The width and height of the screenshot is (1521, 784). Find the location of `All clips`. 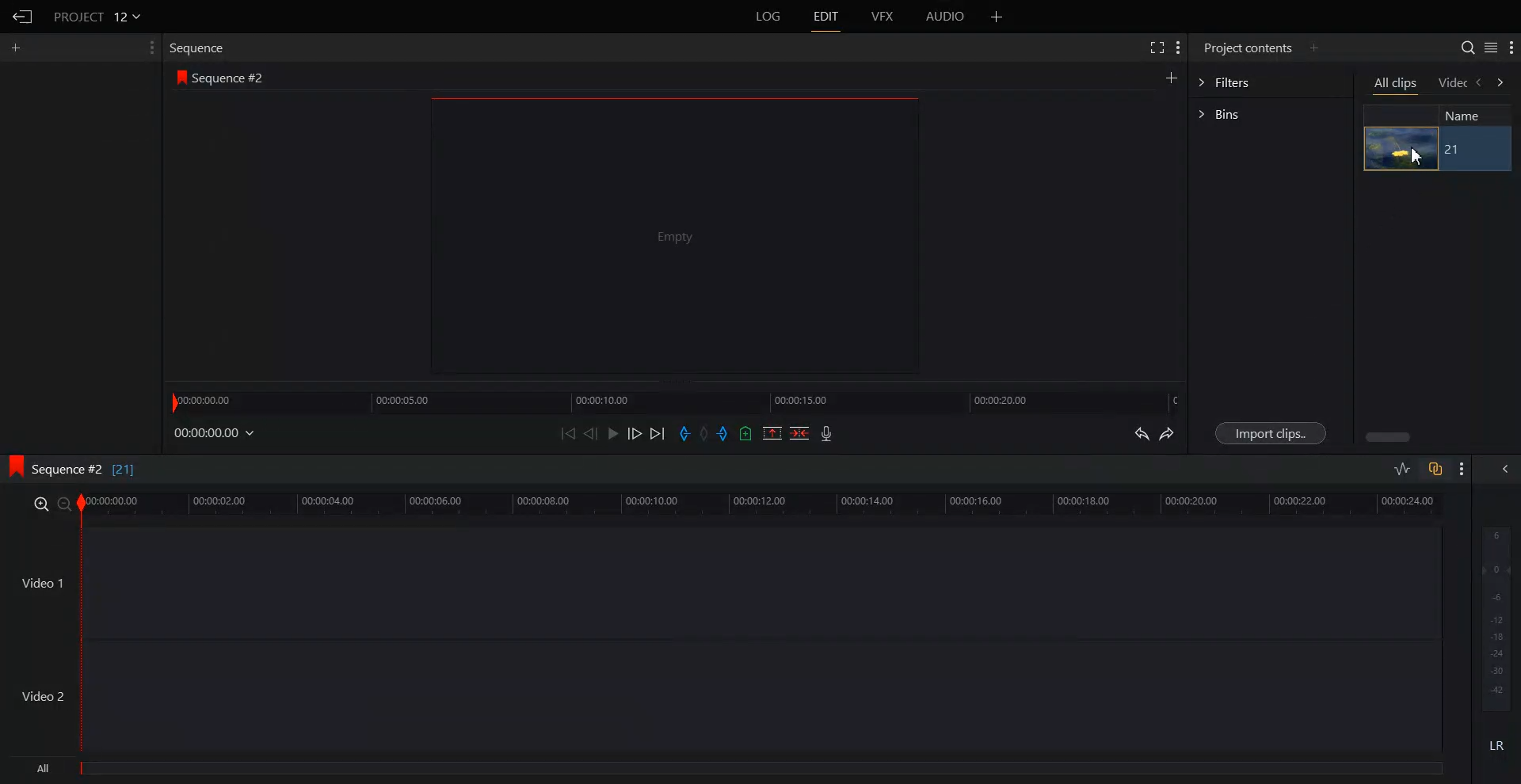

All clips is located at coordinates (1395, 84).